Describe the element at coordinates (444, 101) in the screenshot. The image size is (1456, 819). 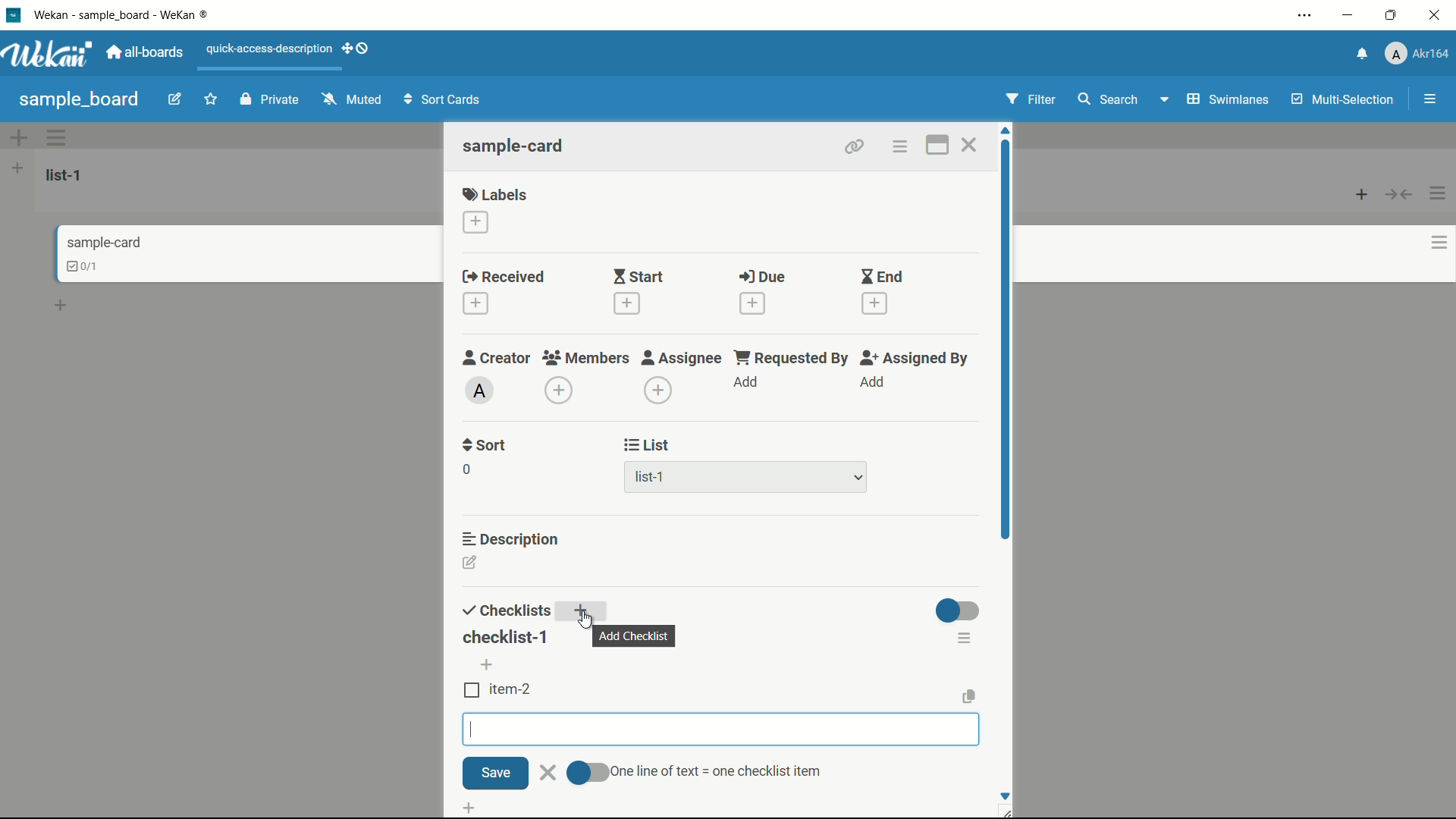
I see `sort cards` at that location.